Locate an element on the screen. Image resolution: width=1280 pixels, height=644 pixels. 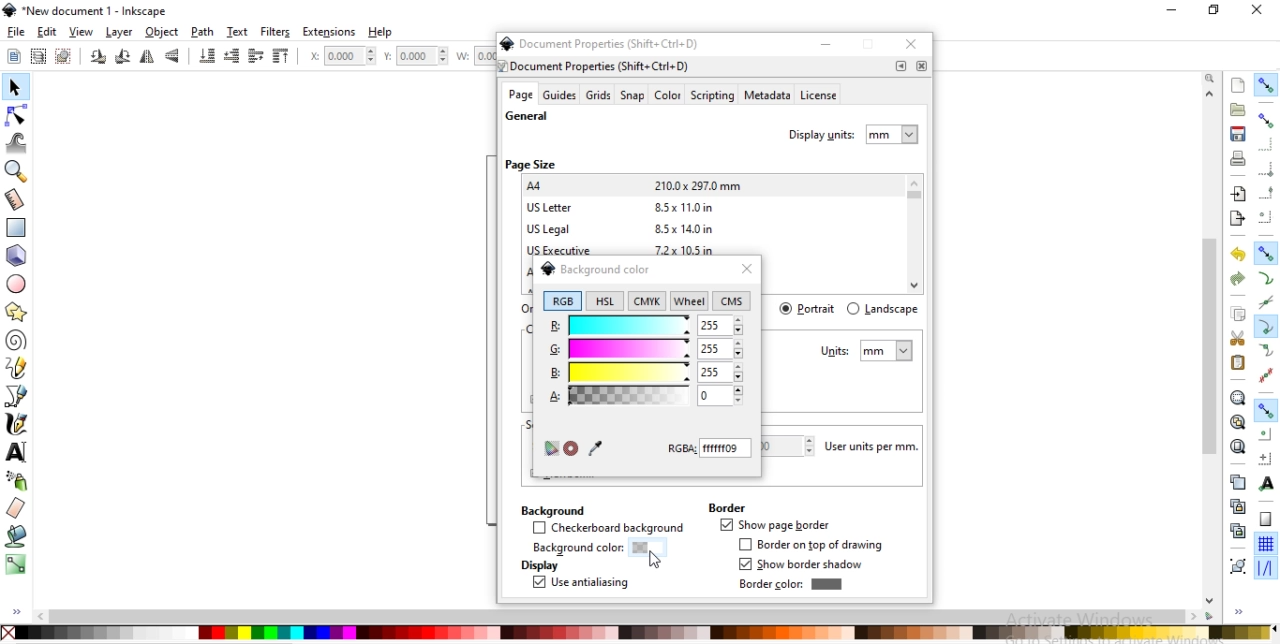
create a clone is located at coordinates (1236, 506).